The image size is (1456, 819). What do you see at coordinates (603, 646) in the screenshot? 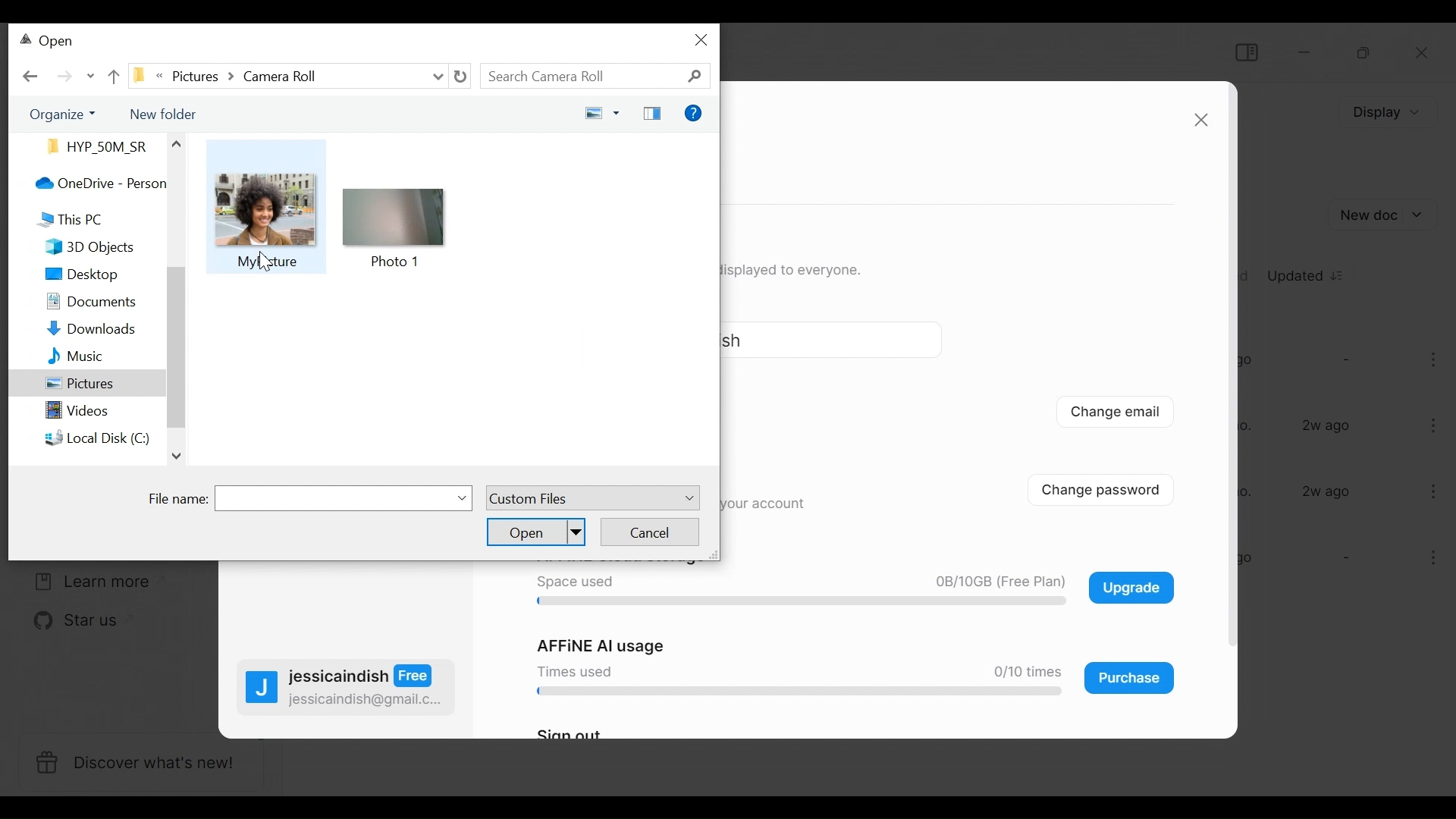
I see `AFFiNE AI usage` at bounding box center [603, 646].